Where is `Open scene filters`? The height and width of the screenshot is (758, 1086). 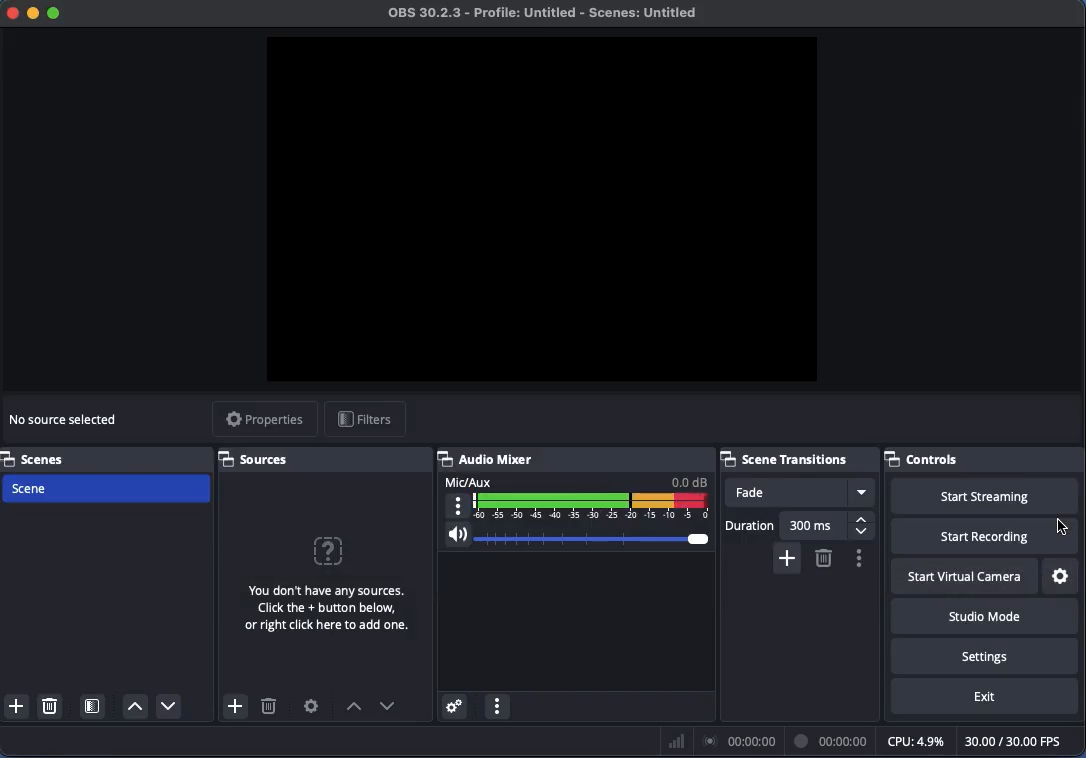
Open scene filters is located at coordinates (94, 708).